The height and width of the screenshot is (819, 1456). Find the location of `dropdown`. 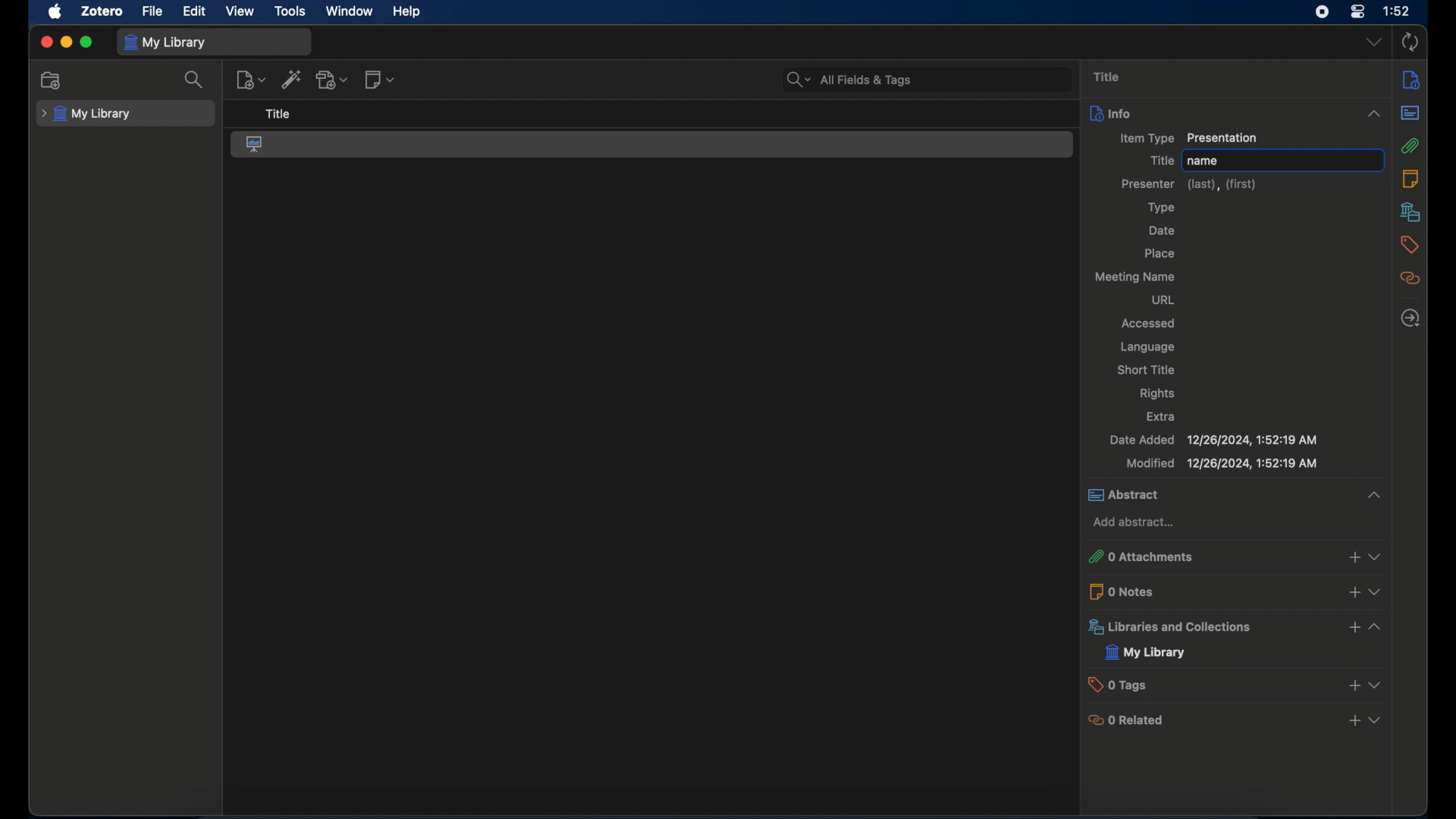

dropdown is located at coordinates (1374, 43).